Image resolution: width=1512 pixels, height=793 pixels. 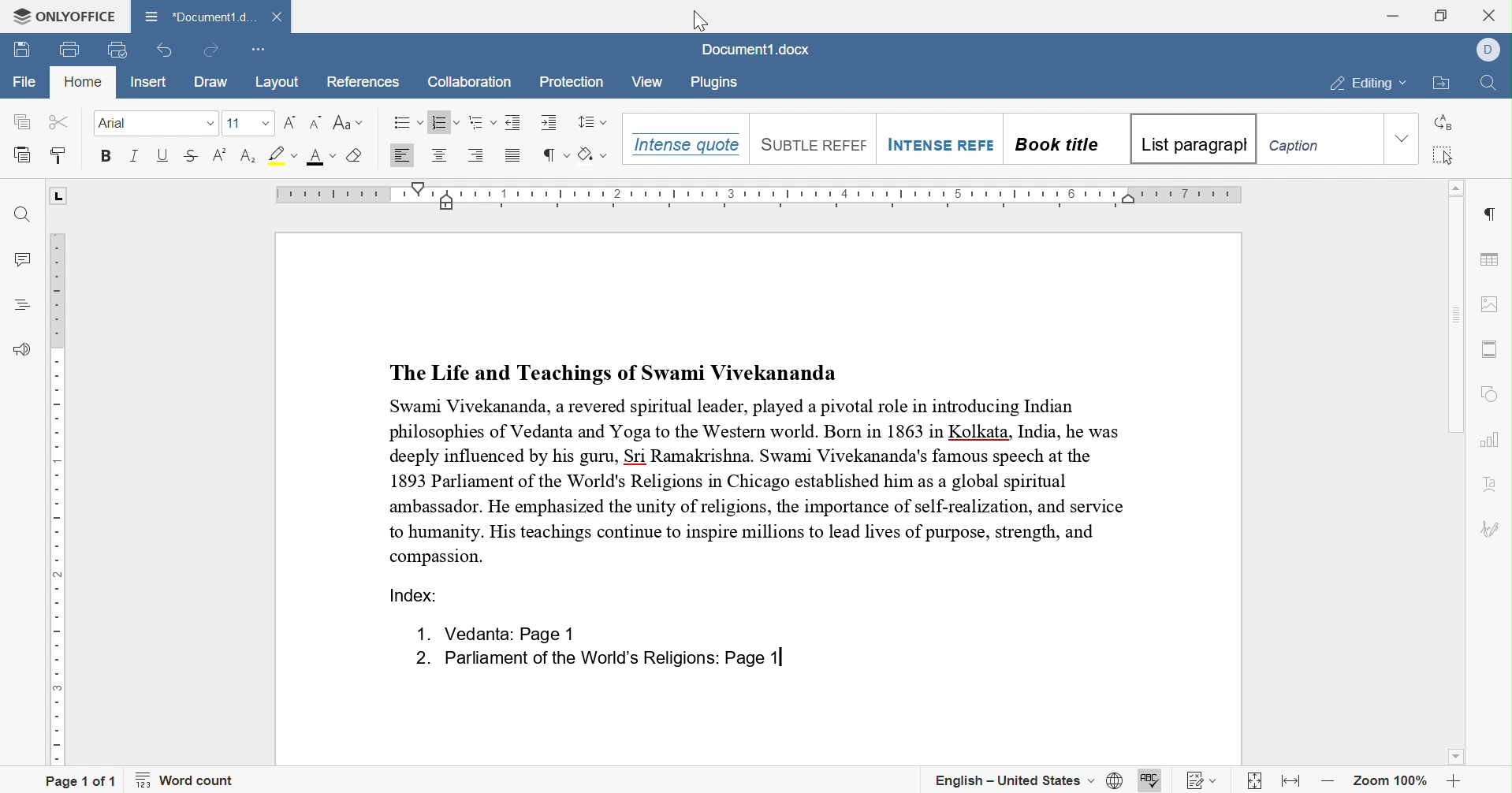 I want to click on table settings, so click(x=1491, y=261).